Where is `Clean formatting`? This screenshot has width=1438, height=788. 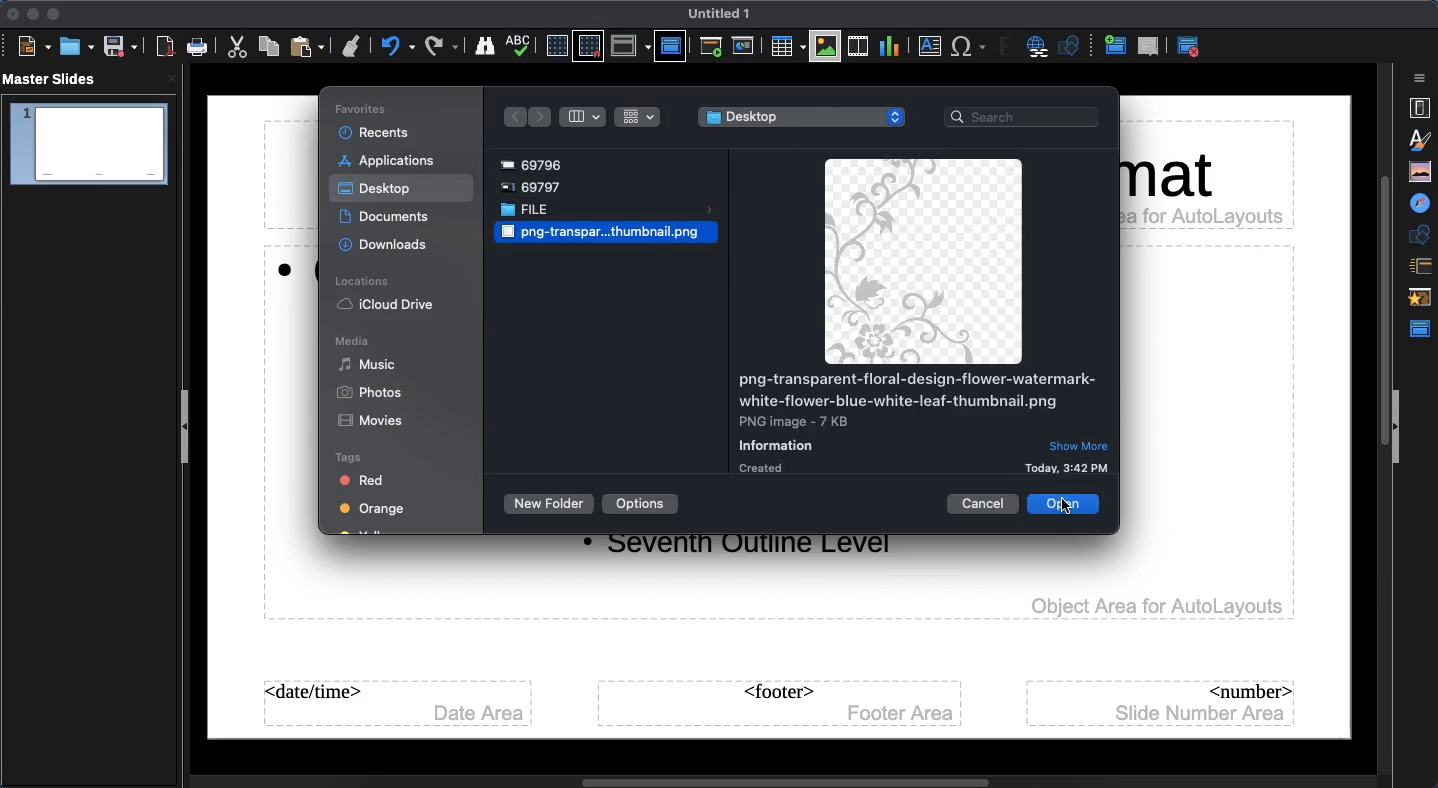 Clean formatting is located at coordinates (351, 46).